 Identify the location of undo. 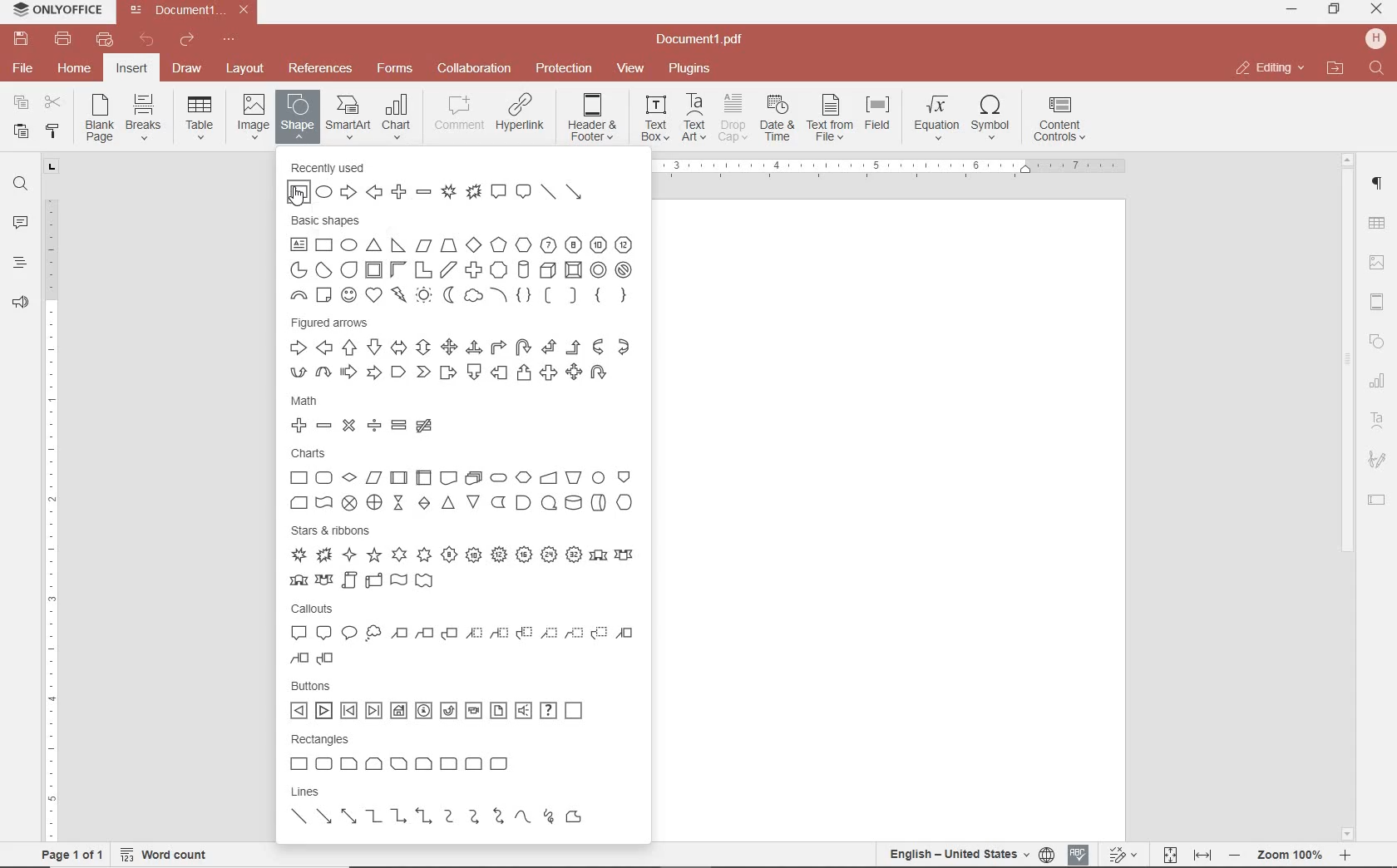
(147, 40).